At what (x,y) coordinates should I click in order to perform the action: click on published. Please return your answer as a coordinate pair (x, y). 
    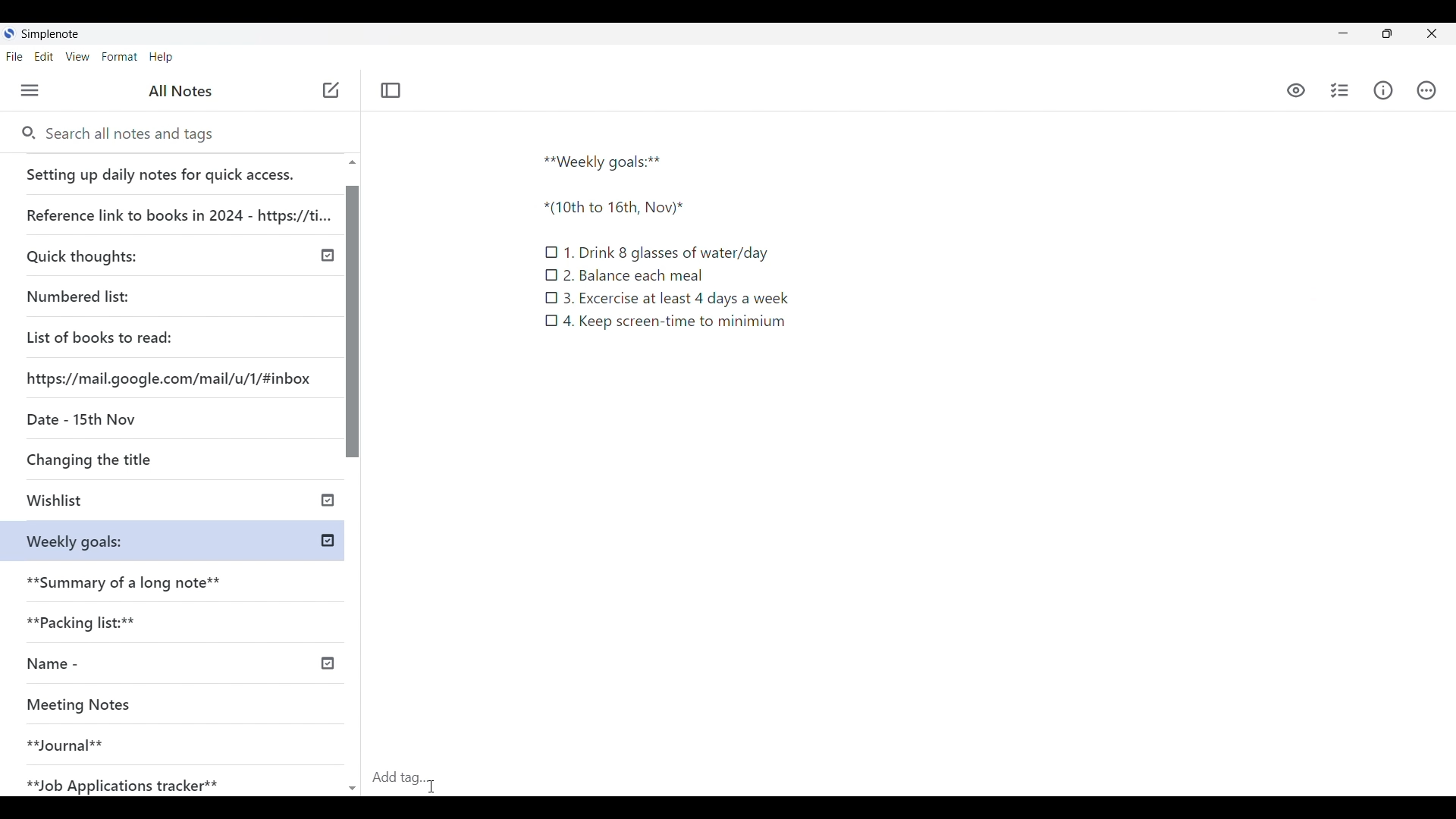
    Looking at the image, I should click on (328, 498).